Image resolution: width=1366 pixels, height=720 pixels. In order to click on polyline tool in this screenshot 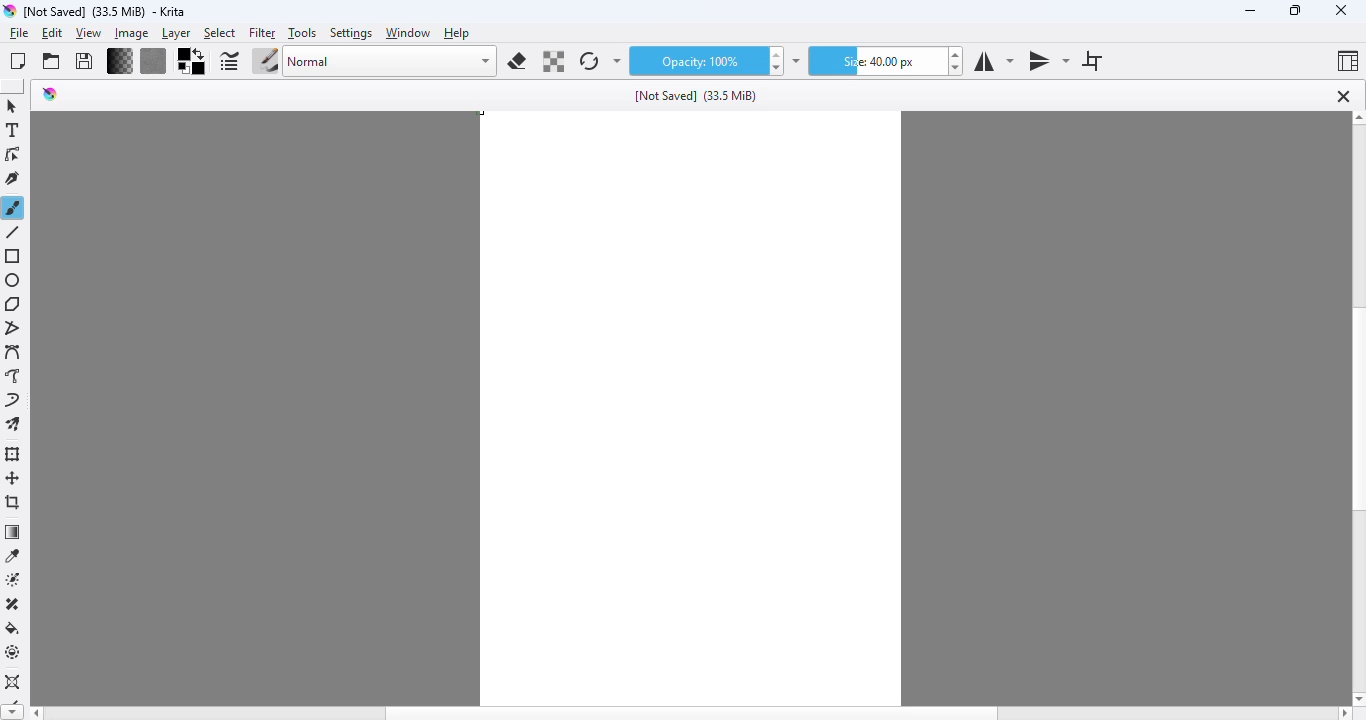, I will do `click(14, 328)`.